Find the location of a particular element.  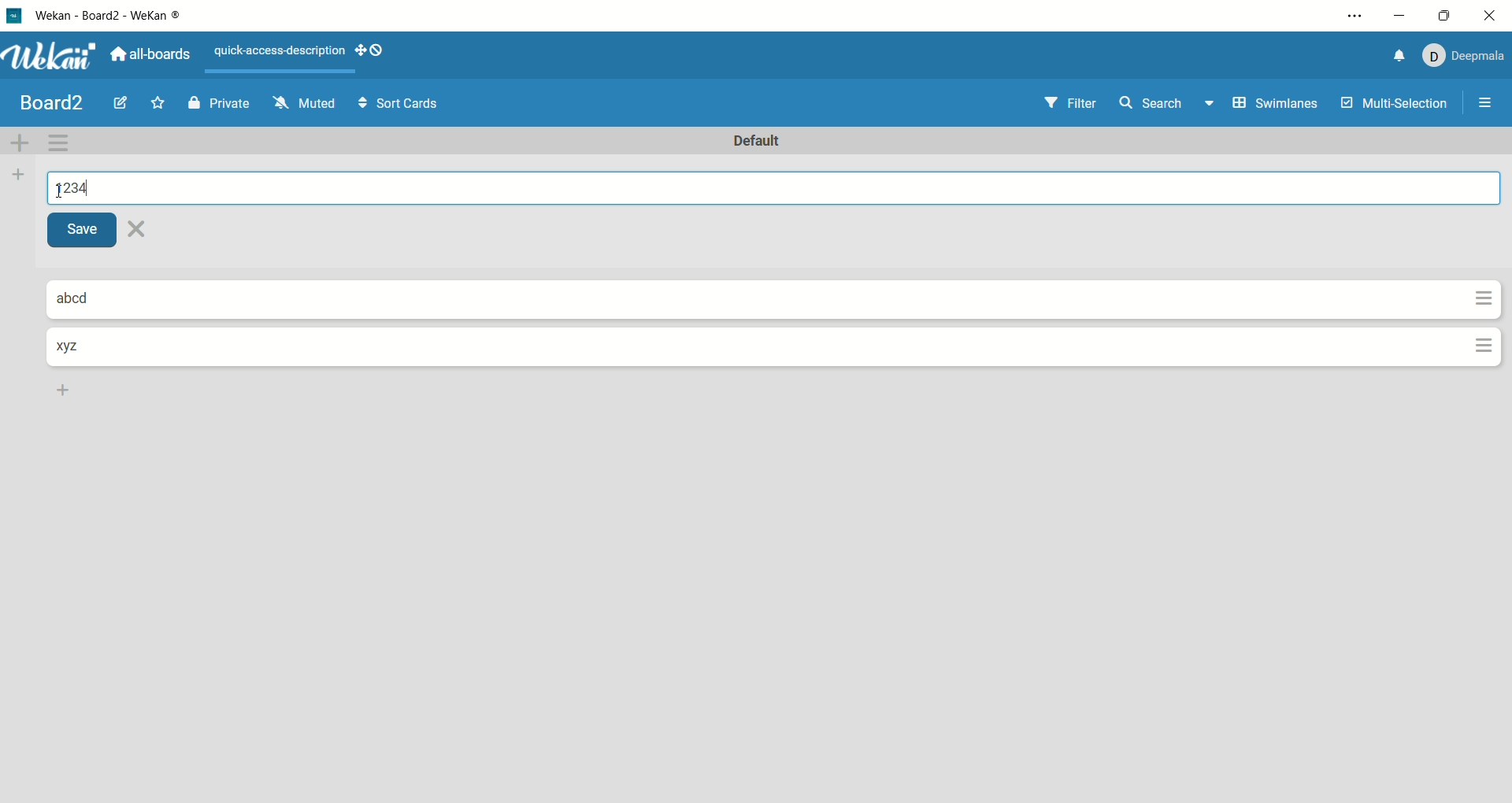

list title is located at coordinates (76, 346).